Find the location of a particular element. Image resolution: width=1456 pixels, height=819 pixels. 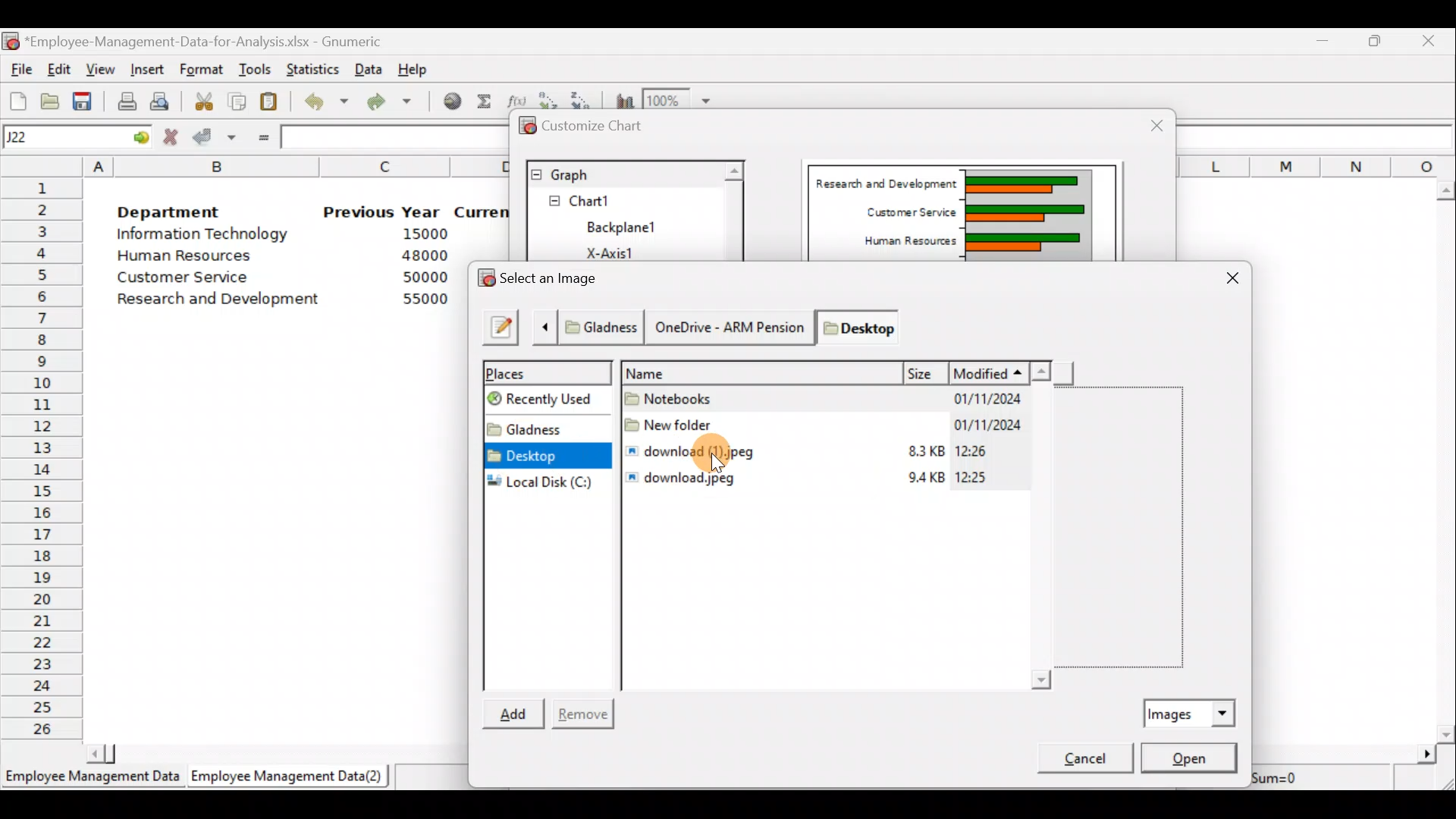

Insert hyperlink is located at coordinates (450, 104).